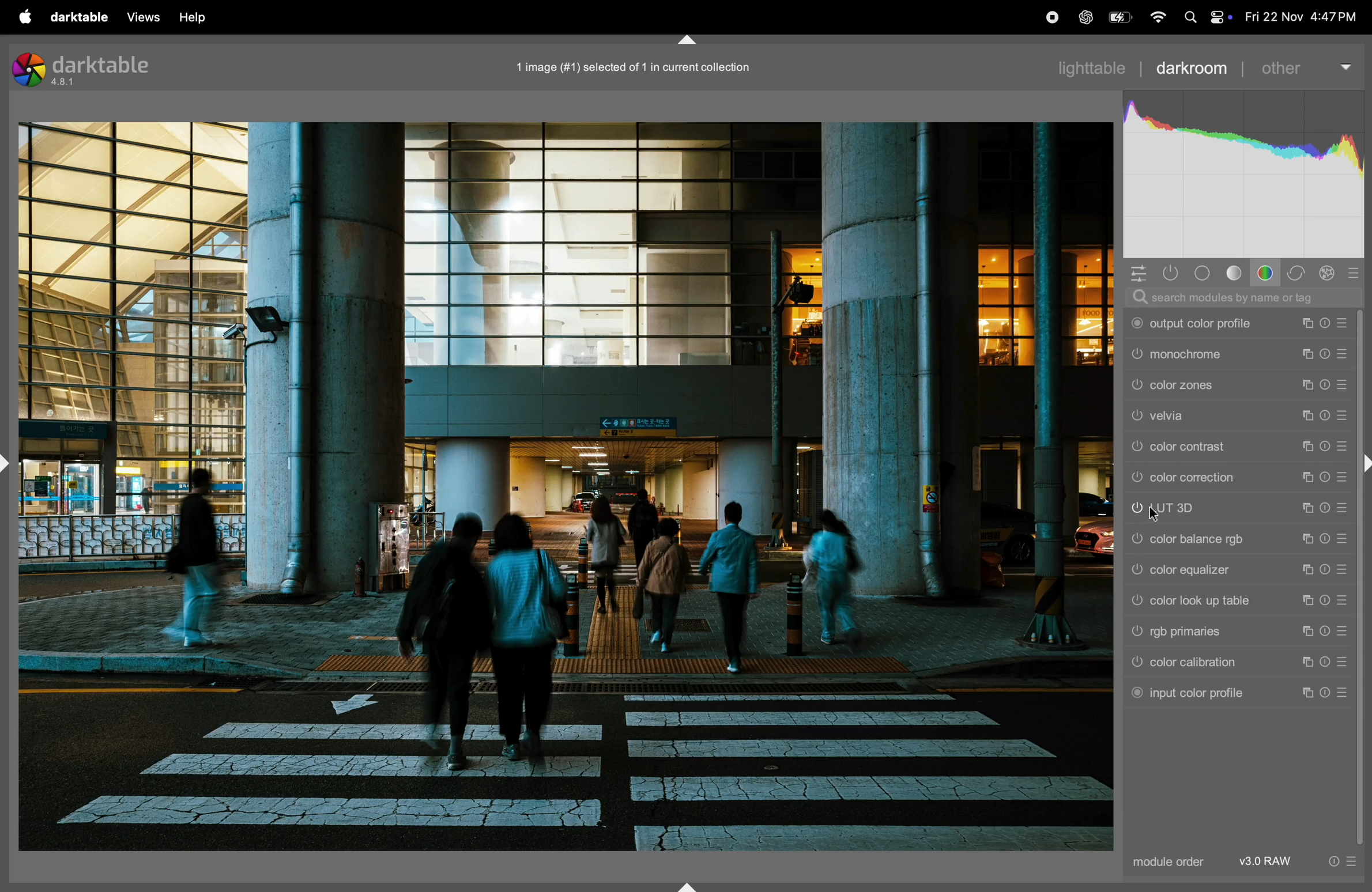 The width and height of the screenshot is (1372, 892). Describe the element at coordinates (1364, 463) in the screenshot. I see `shift+ctrl+r` at that location.